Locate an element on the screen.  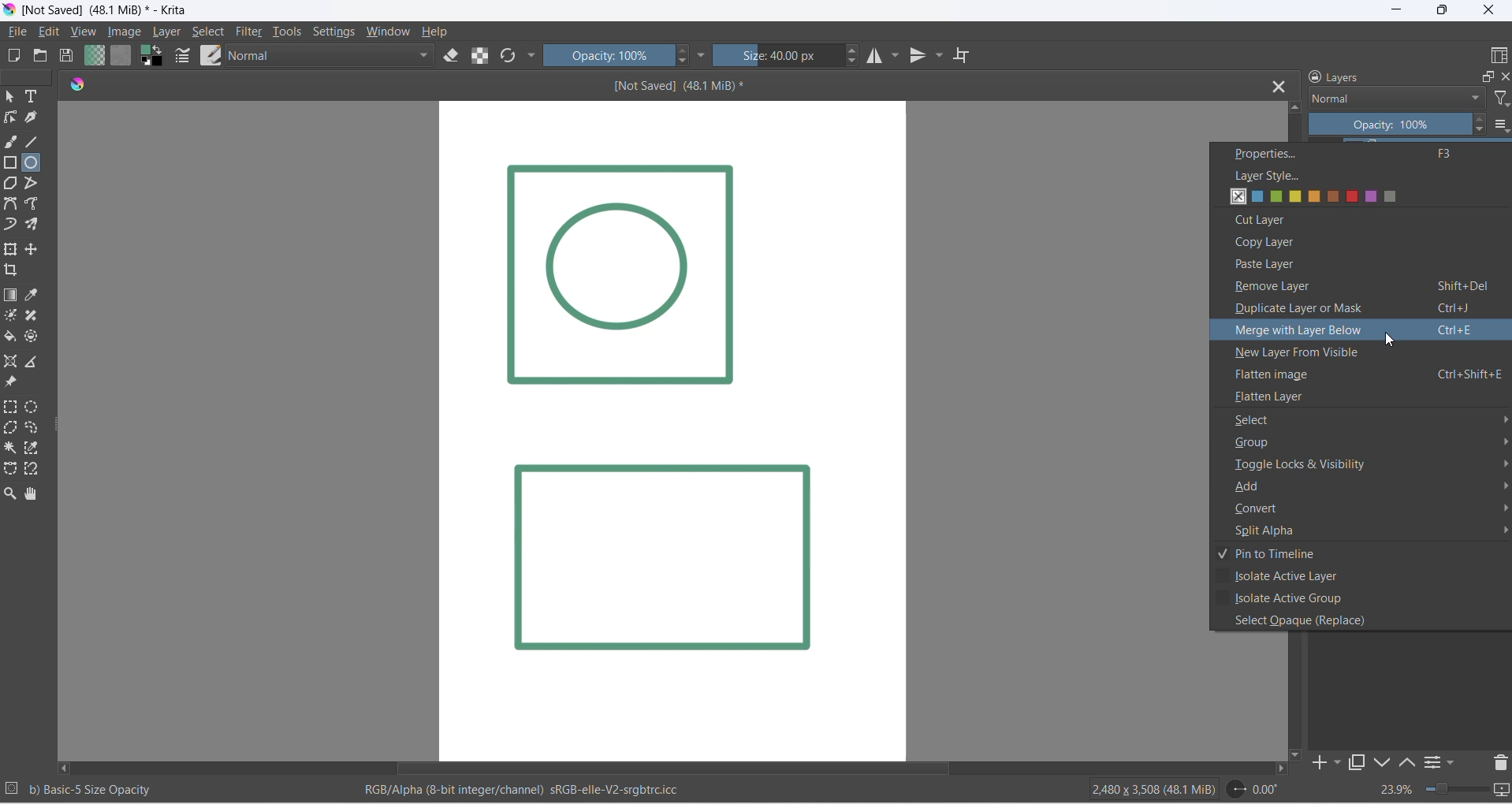
copy layer is located at coordinates (1354, 244).